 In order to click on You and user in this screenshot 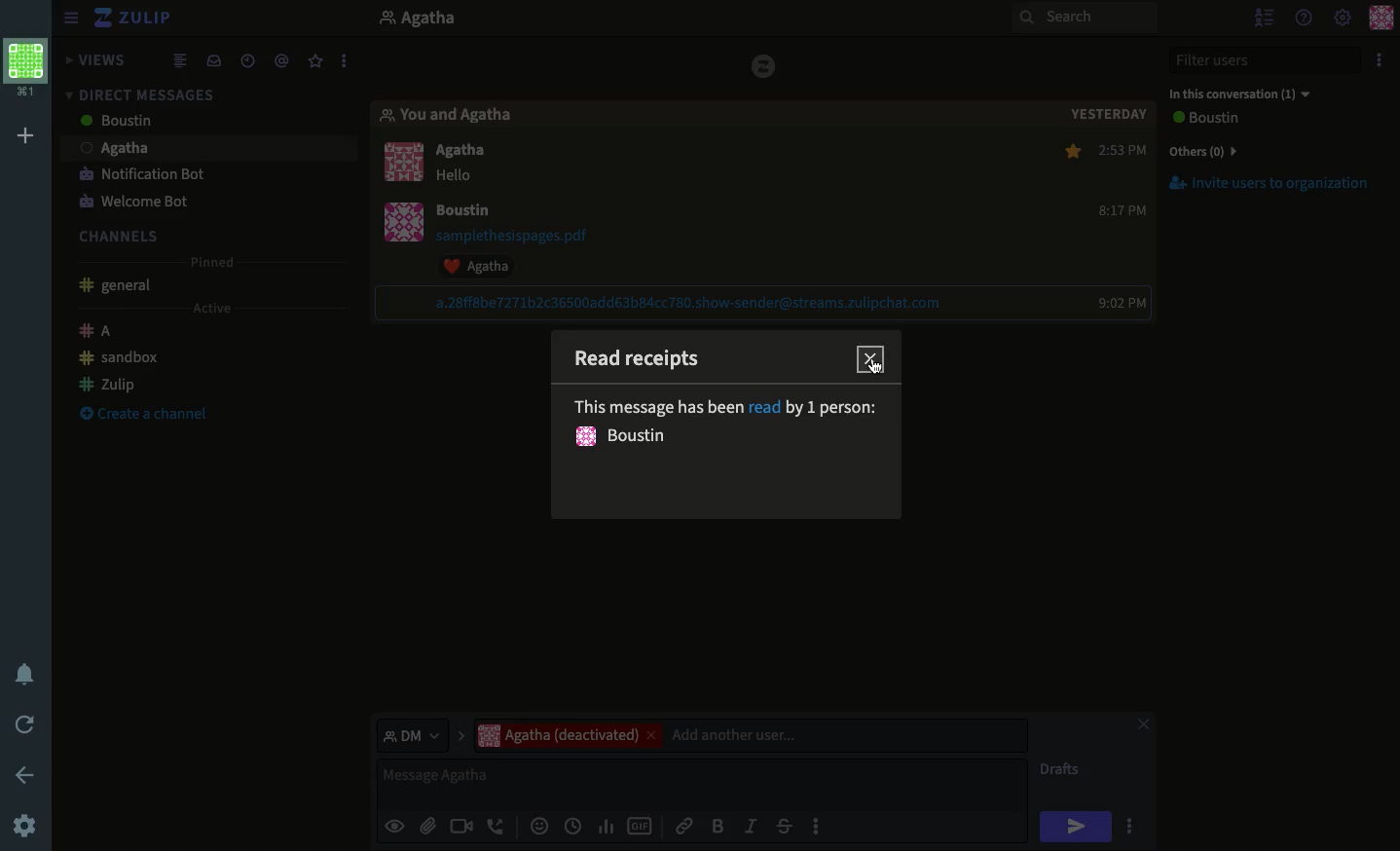, I will do `click(457, 116)`.